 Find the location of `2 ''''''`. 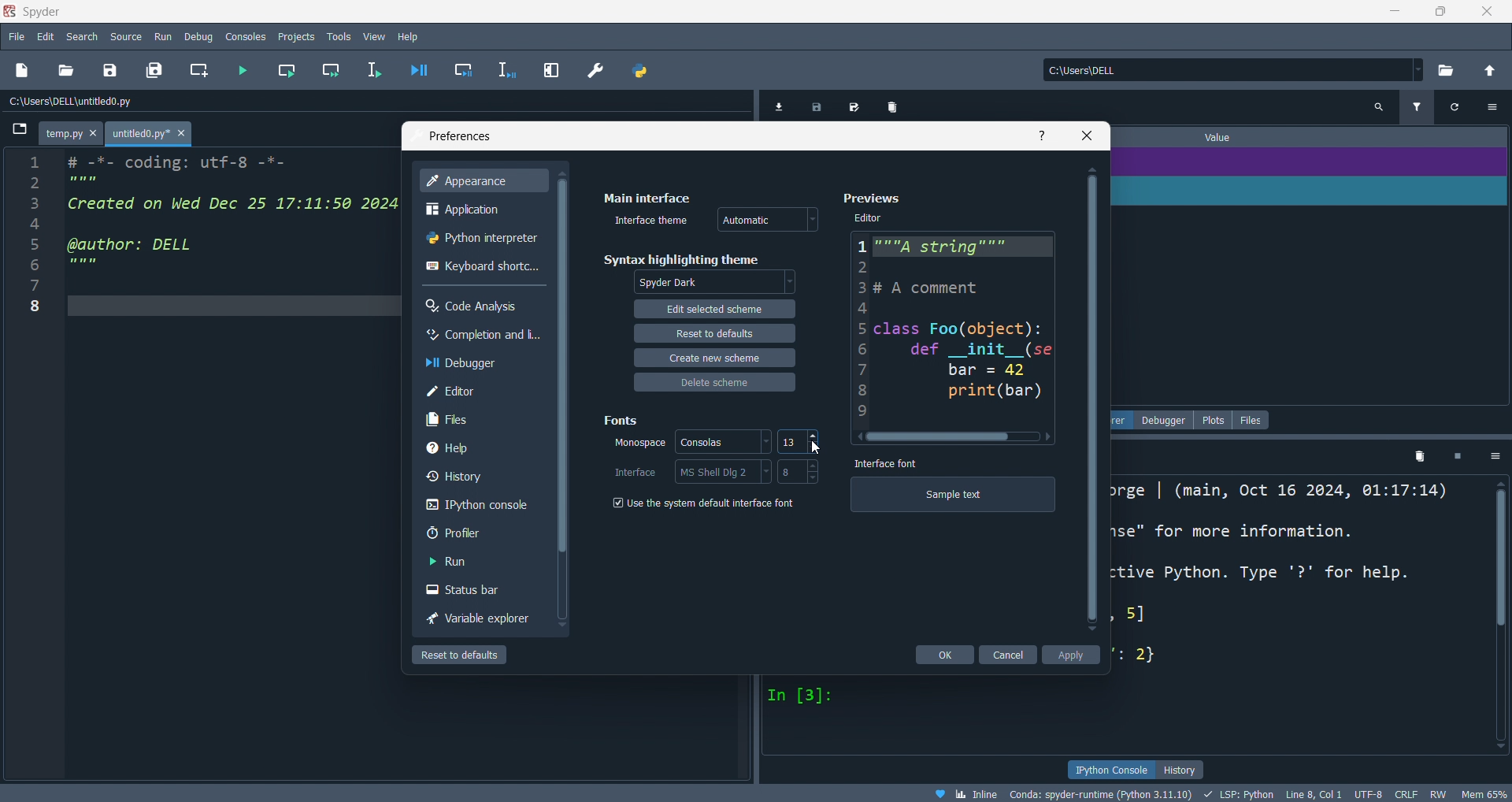

2 '''''' is located at coordinates (67, 183).